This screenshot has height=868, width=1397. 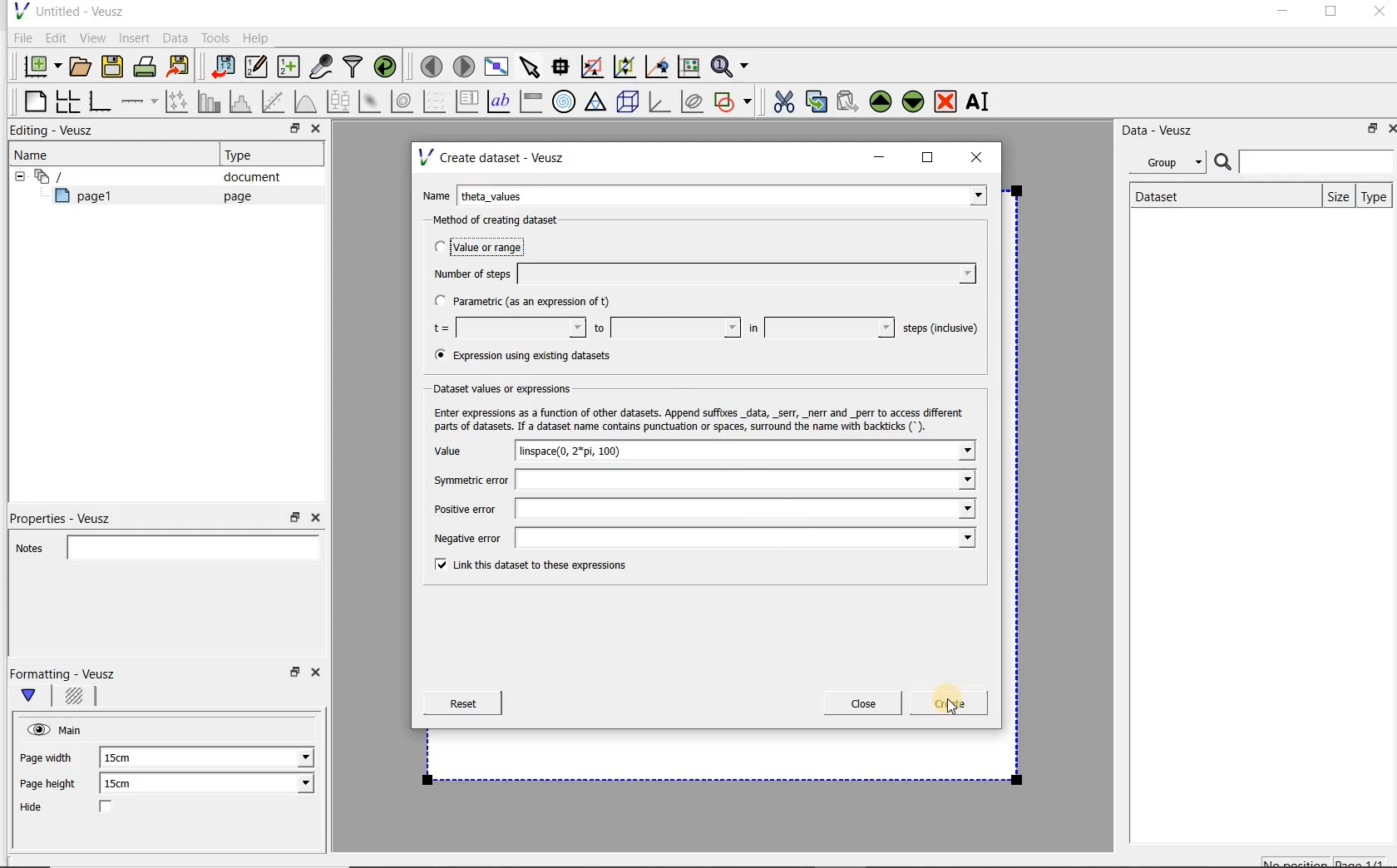 I want to click on Tools, so click(x=214, y=38).